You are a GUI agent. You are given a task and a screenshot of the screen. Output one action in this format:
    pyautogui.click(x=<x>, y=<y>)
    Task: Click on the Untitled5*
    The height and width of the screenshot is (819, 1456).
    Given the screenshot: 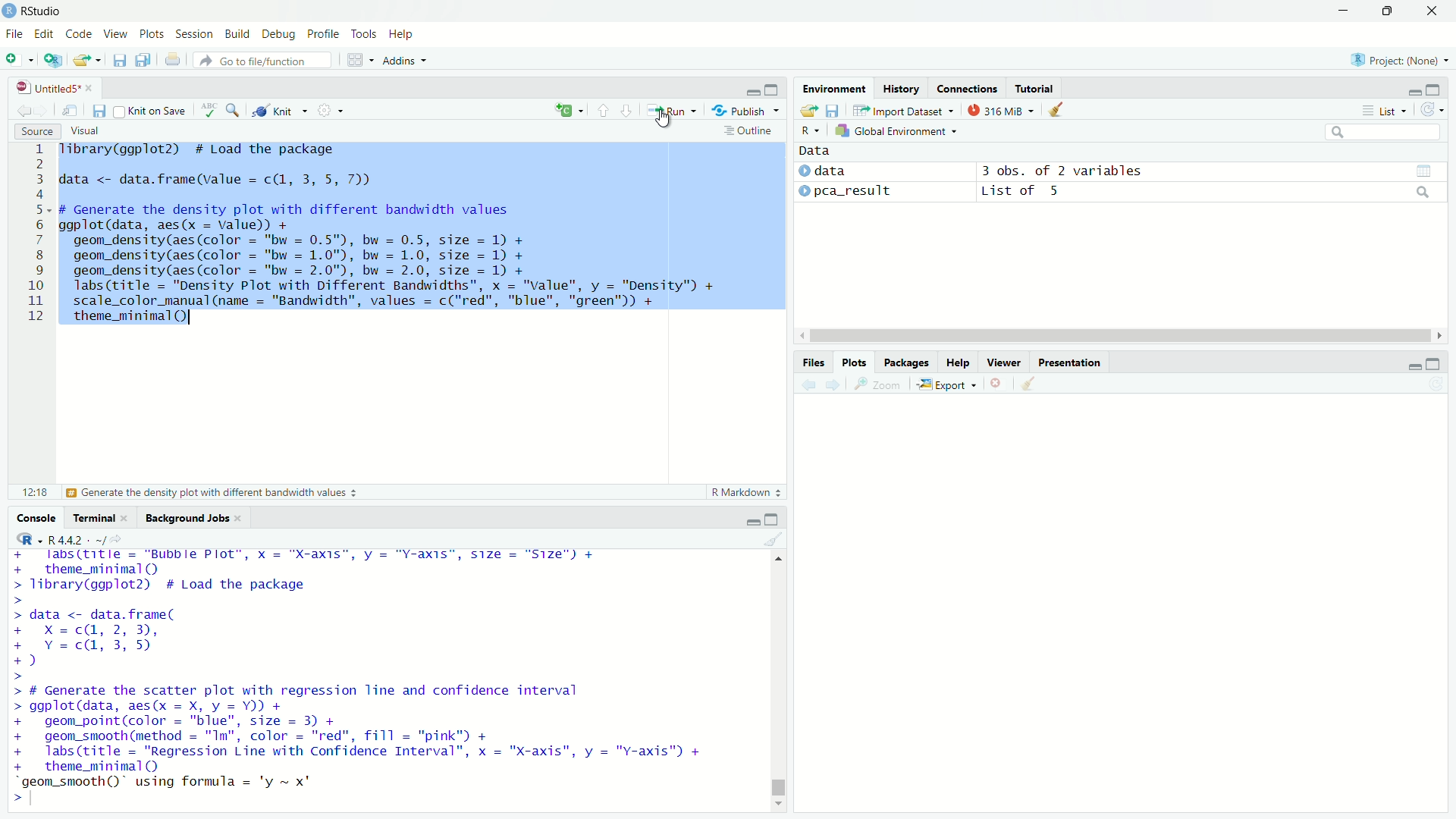 What is the action you would take?
    pyautogui.click(x=48, y=87)
    